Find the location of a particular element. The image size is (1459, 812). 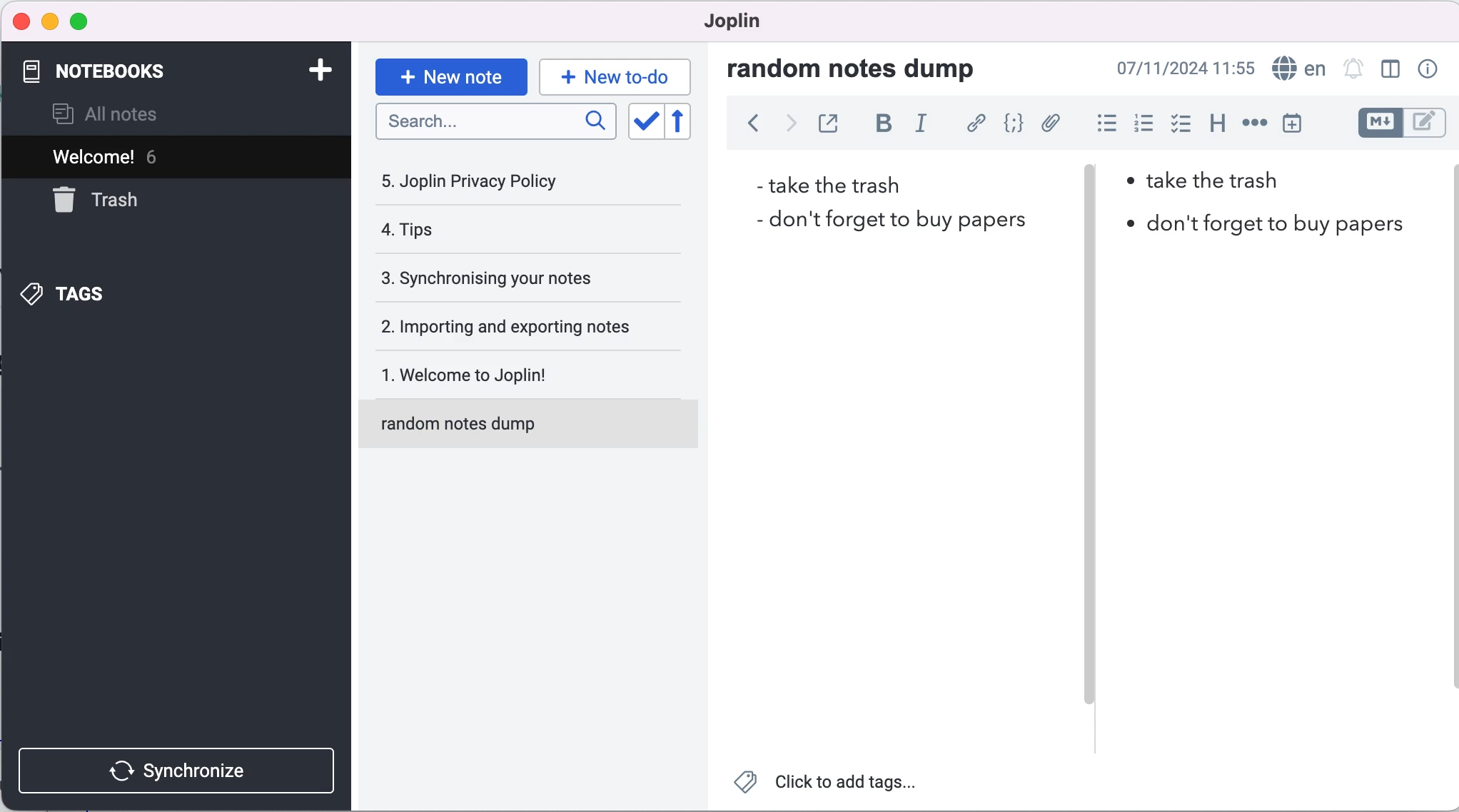

bold is located at coordinates (879, 126).